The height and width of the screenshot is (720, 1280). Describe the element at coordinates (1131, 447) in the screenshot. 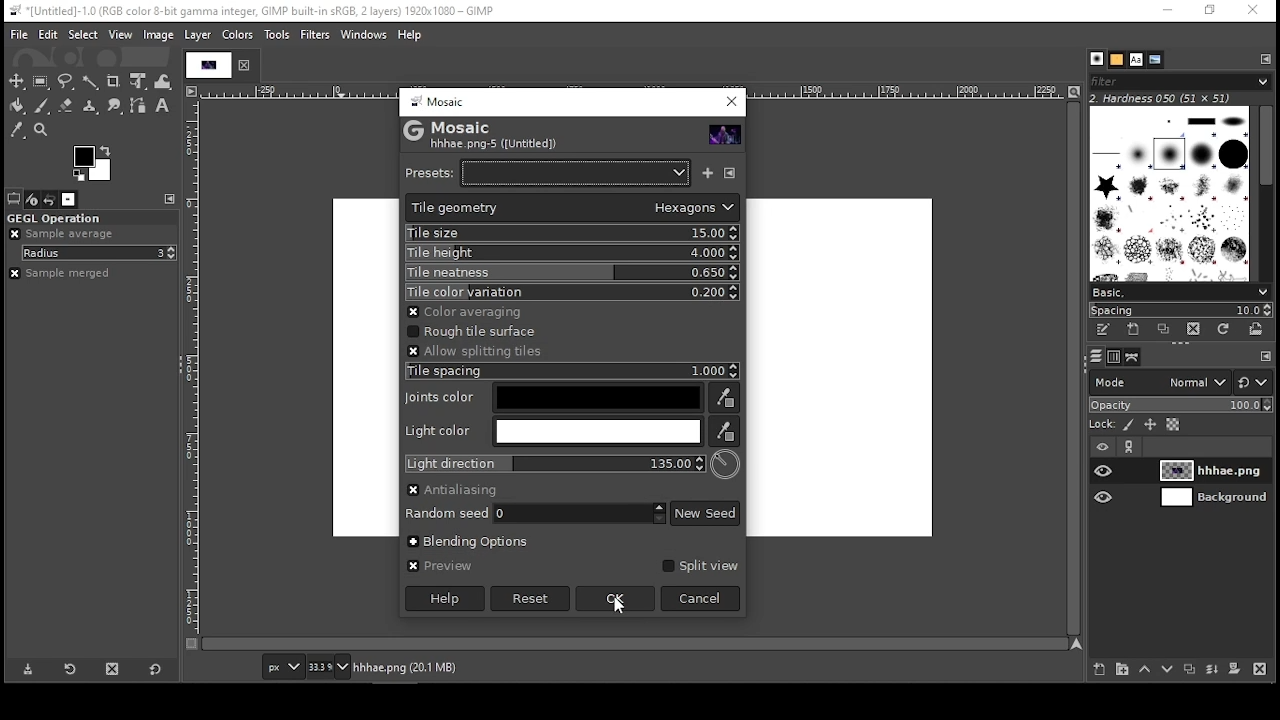

I see `link` at that location.